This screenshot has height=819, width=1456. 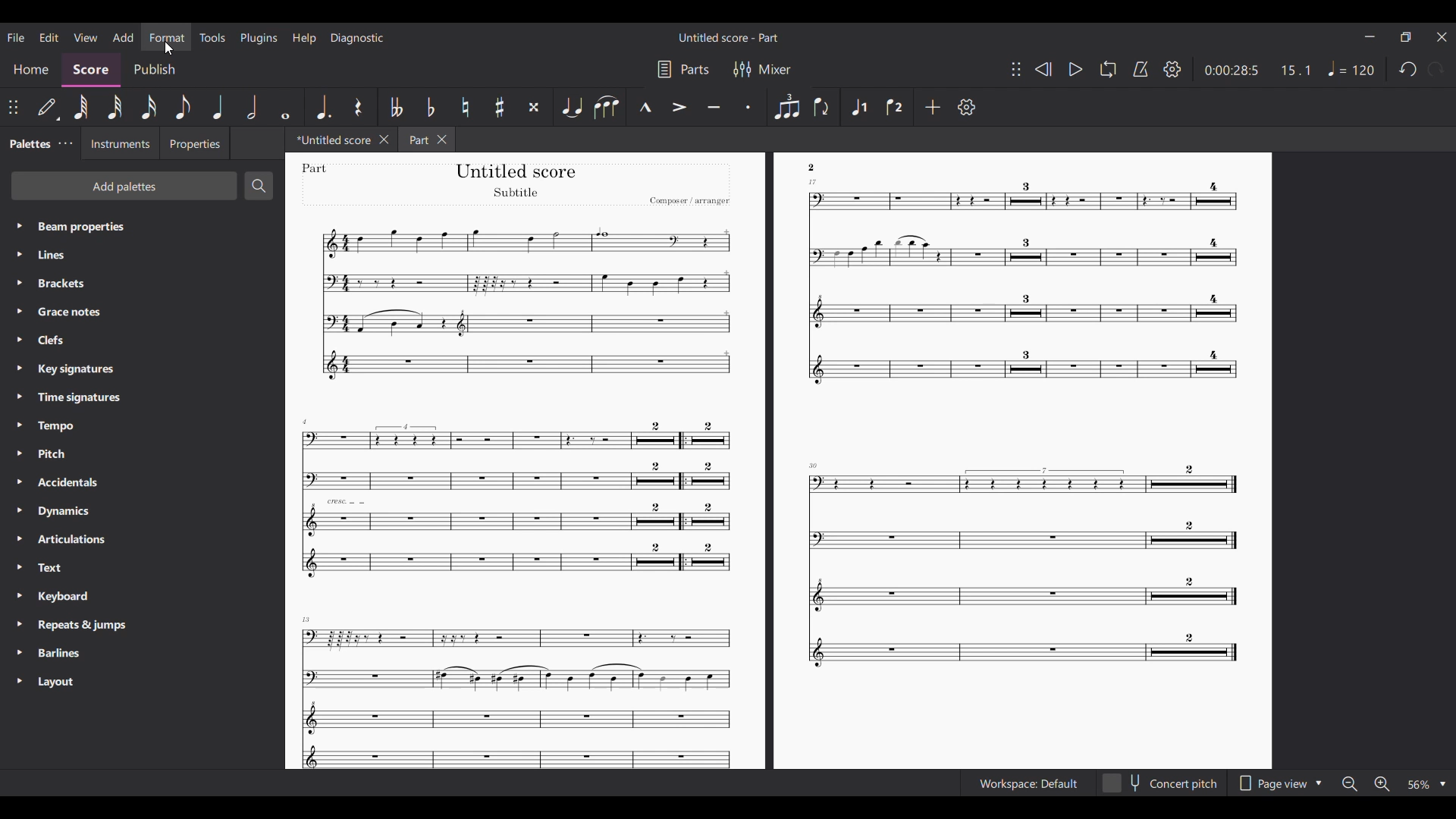 What do you see at coordinates (68, 340) in the screenshot?
I see `Clefs` at bounding box center [68, 340].